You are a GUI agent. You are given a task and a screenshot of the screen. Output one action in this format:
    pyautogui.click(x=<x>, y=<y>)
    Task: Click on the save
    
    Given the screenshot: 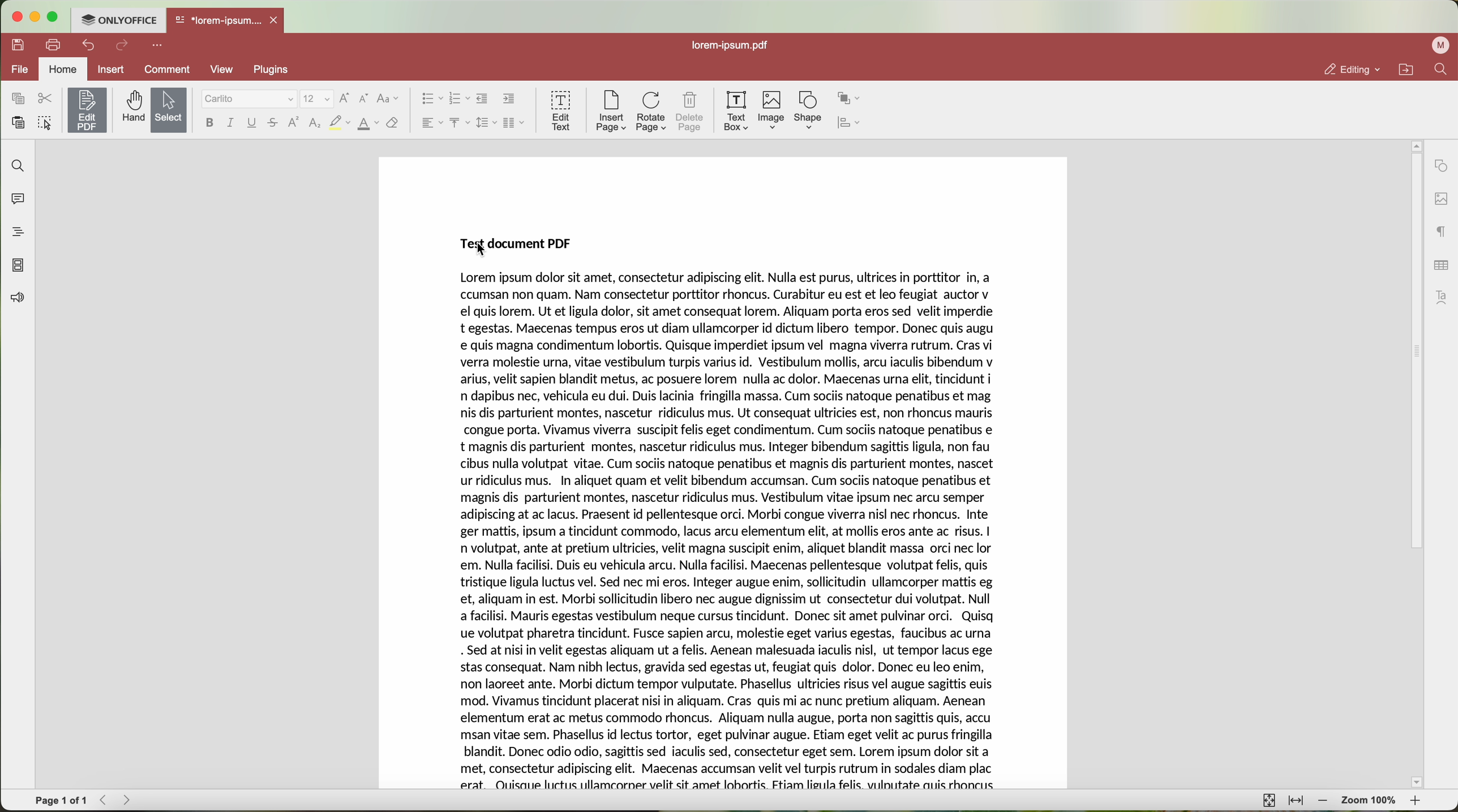 What is the action you would take?
    pyautogui.click(x=19, y=45)
    